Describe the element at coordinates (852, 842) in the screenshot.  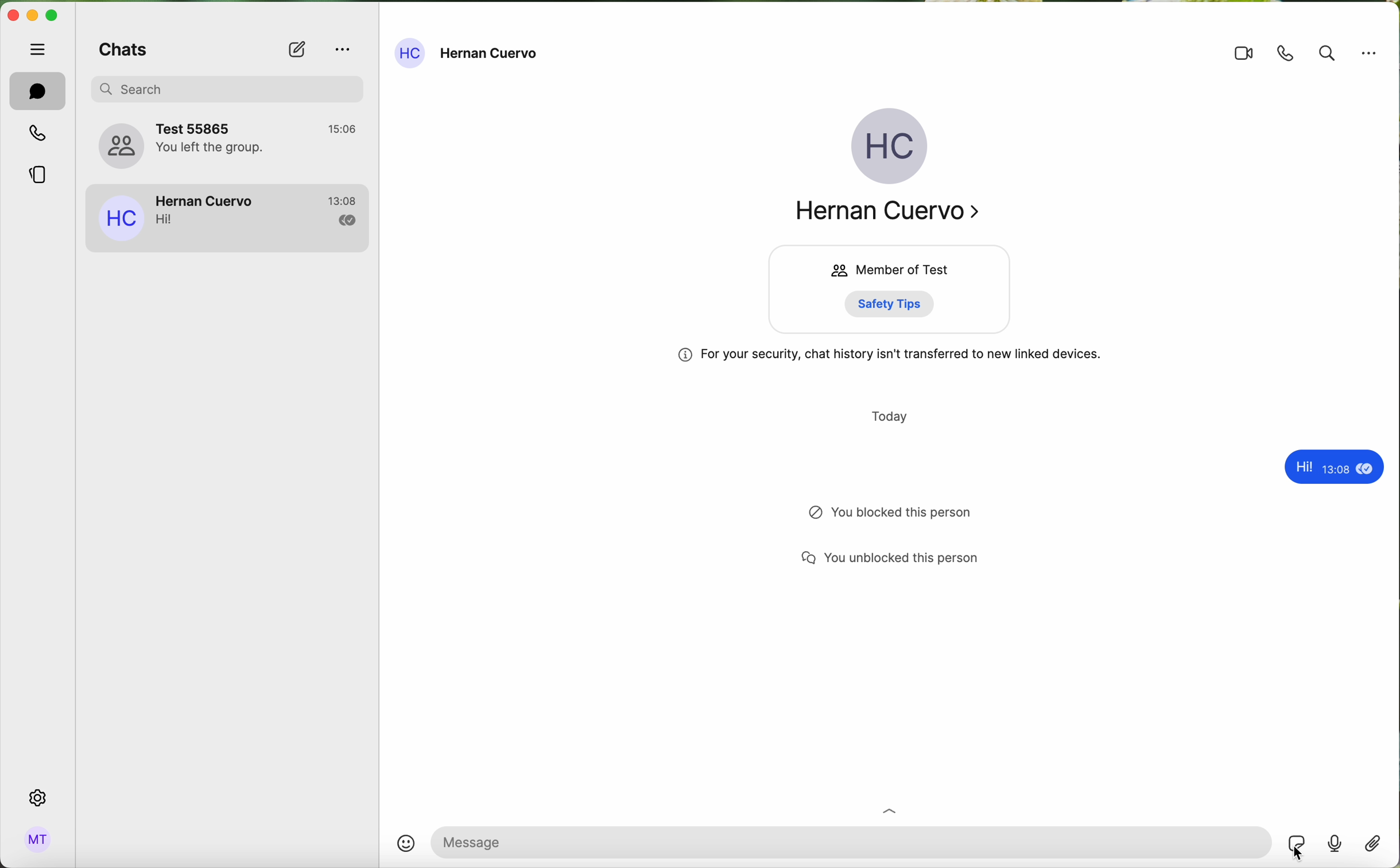
I see `space to write the message` at that location.